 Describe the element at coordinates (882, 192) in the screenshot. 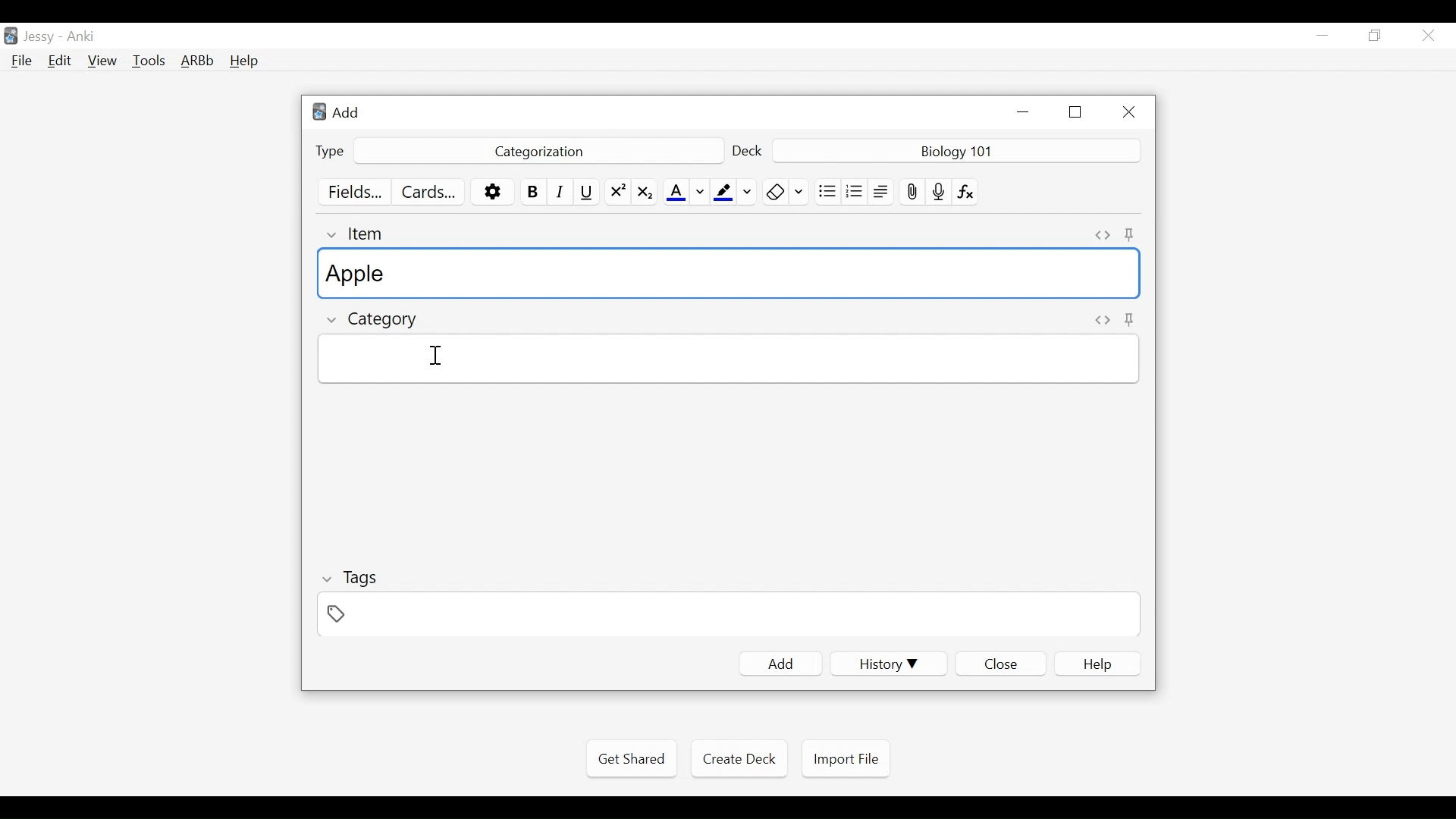

I see `Alignment` at that location.